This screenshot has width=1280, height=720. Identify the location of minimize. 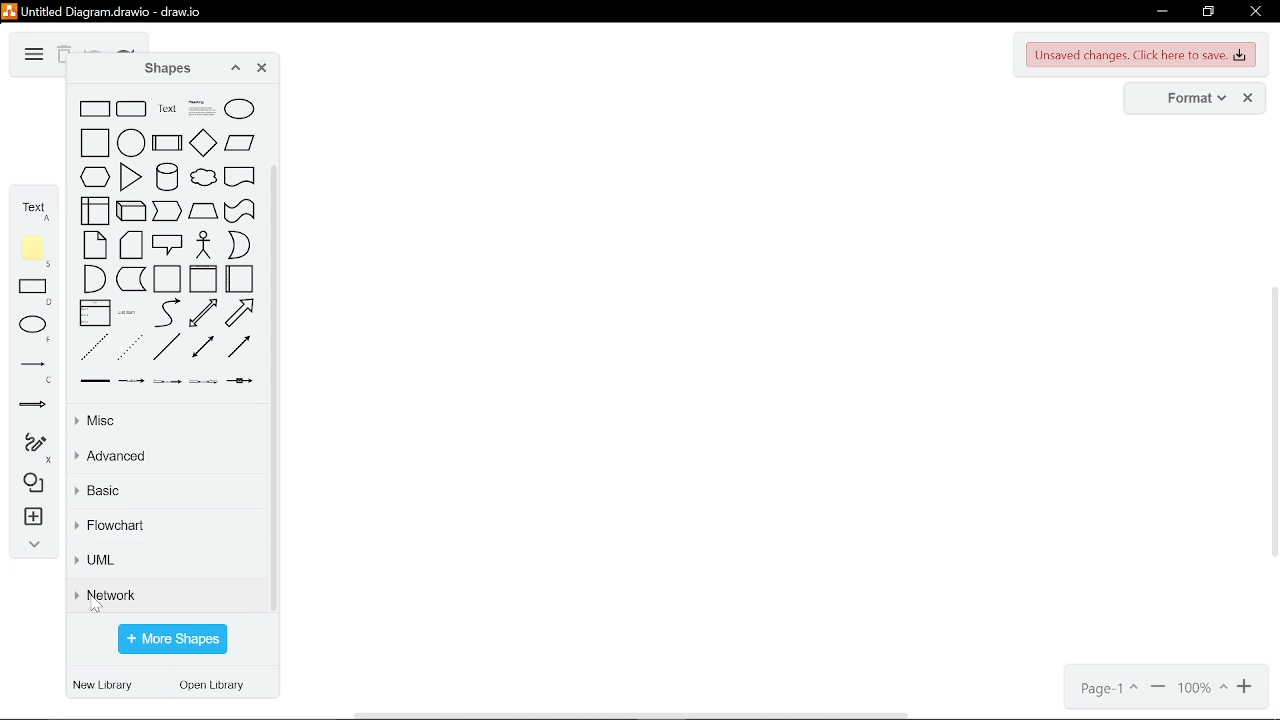
(1160, 12).